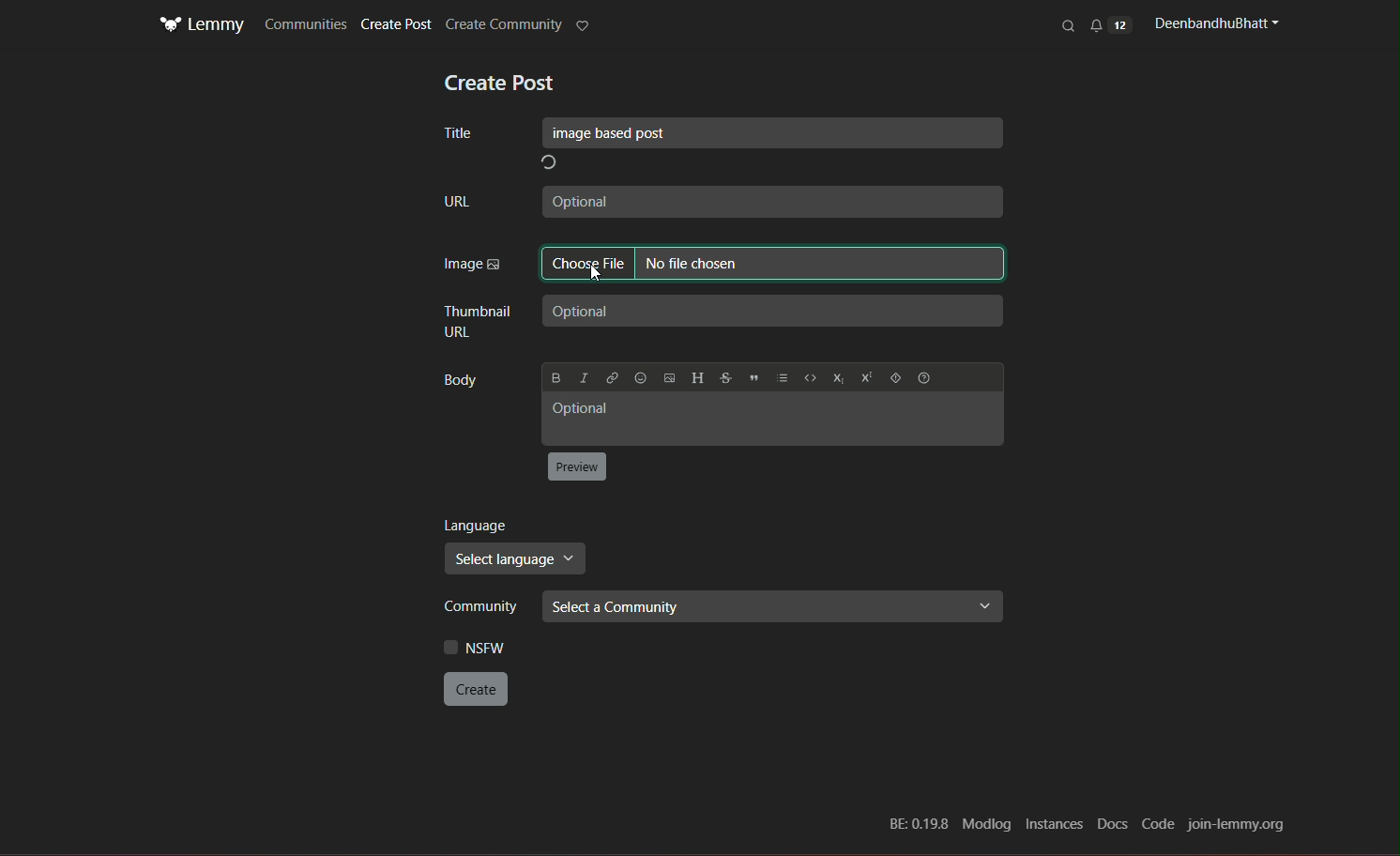 Image resolution: width=1400 pixels, height=856 pixels. Describe the element at coordinates (459, 135) in the screenshot. I see `title` at that location.